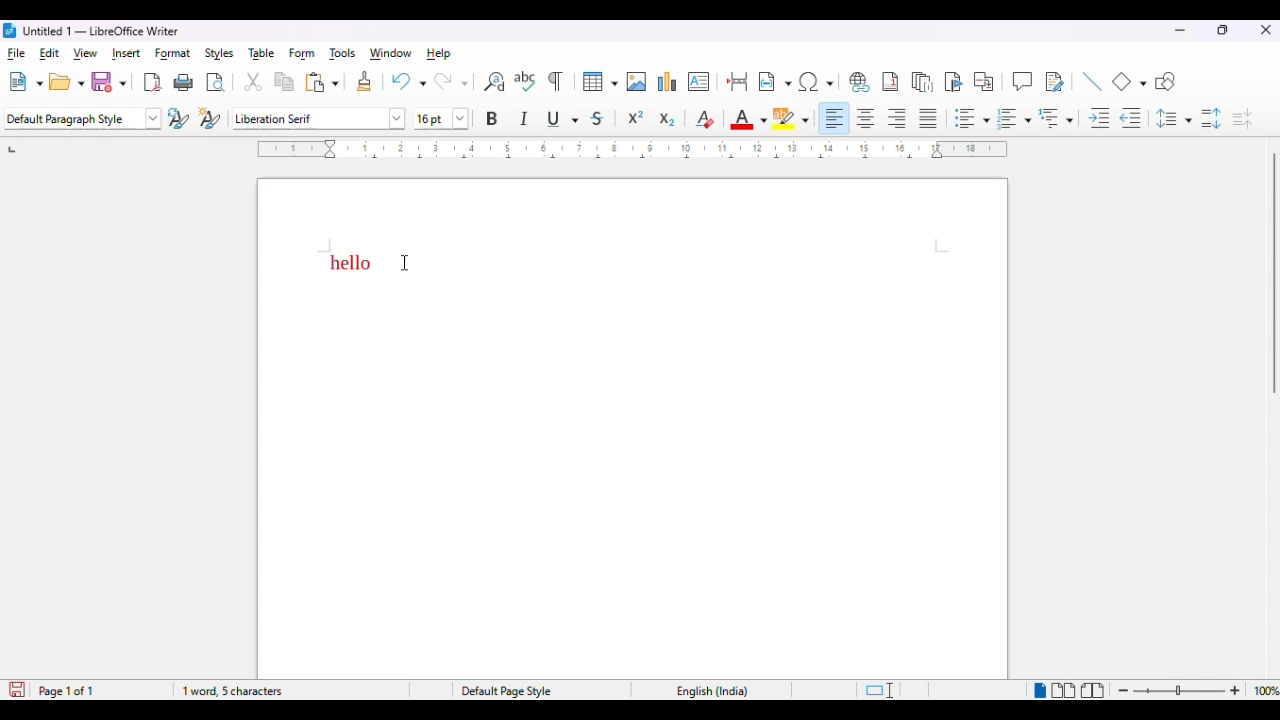  I want to click on increase paragraph spacing, so click(1211, 119).